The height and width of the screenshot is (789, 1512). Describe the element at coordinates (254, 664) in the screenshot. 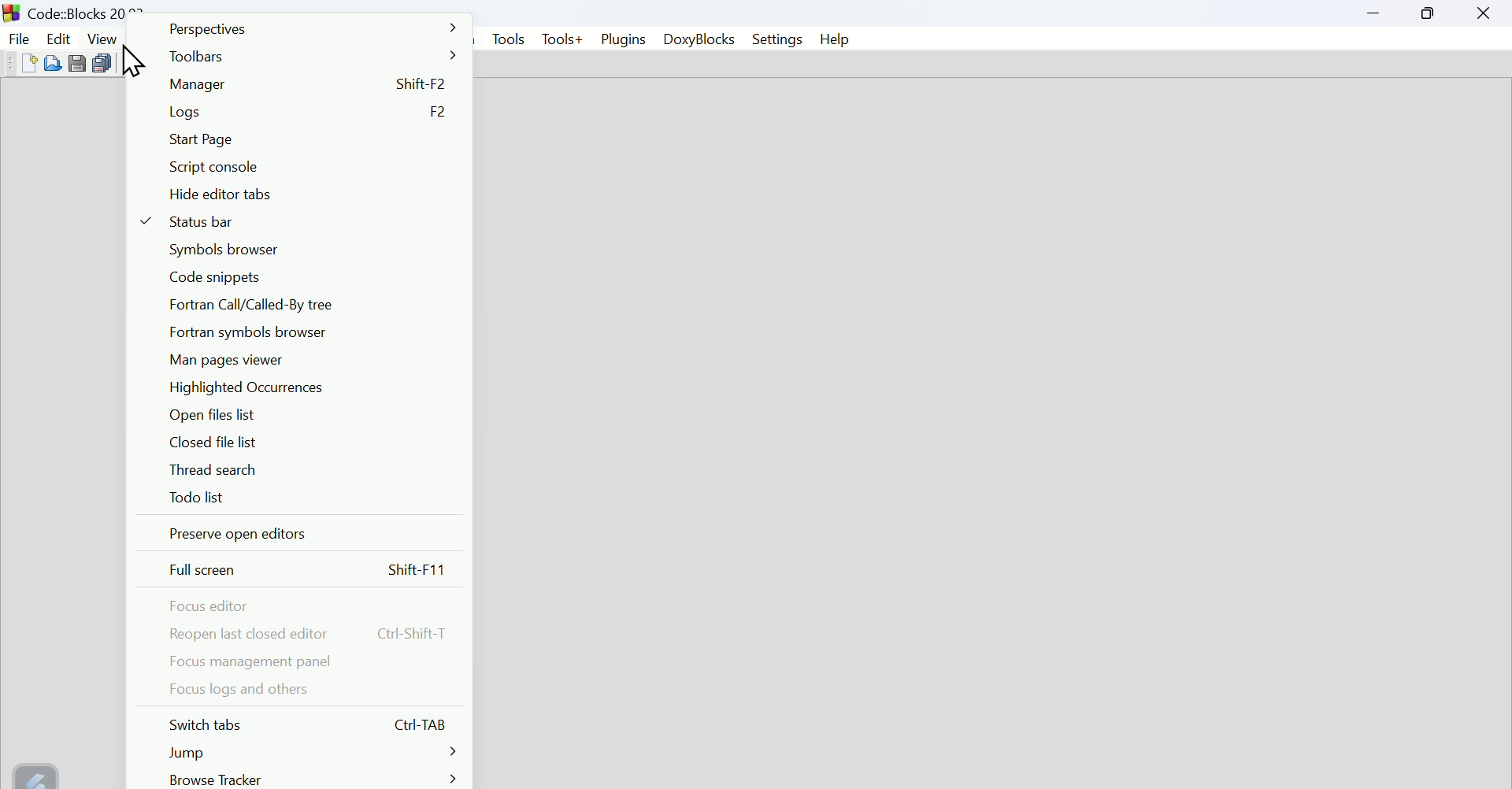

I see `Focus management panel` at that location.